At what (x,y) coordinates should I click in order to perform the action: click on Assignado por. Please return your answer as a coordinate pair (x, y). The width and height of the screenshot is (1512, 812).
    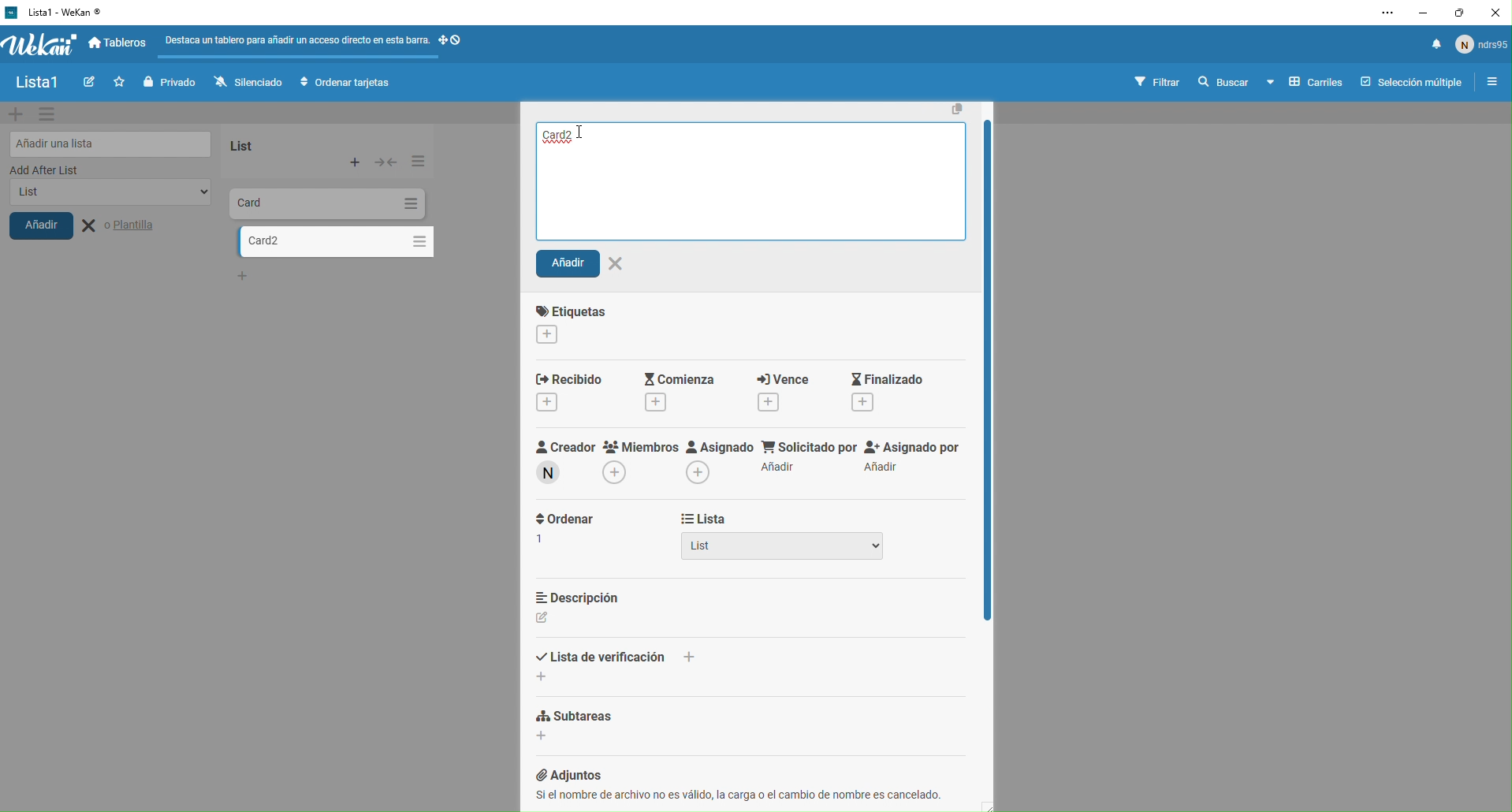
    Looking at the image, I should click on (914, 458).